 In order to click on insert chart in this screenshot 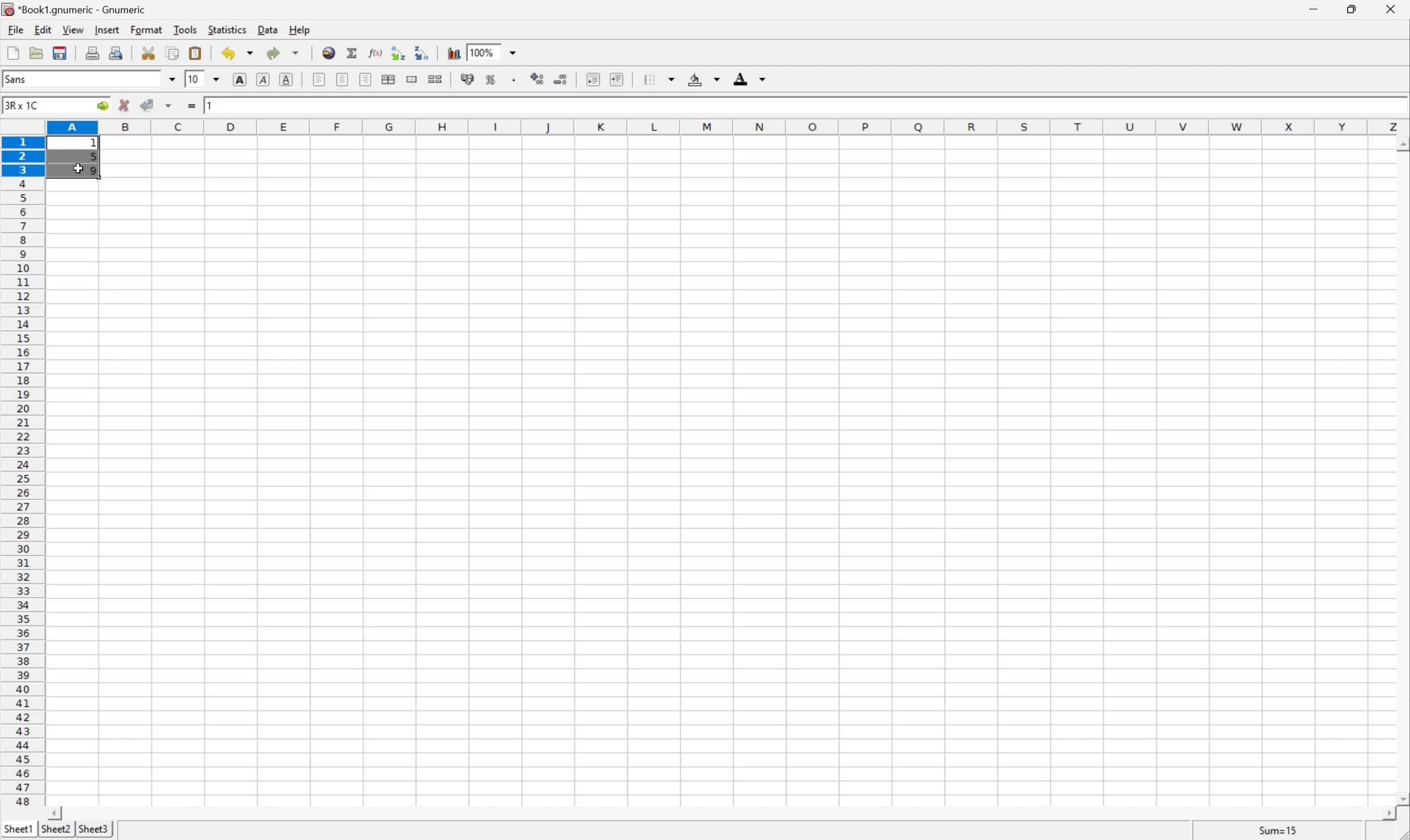, I will do `click(453, 52)`.